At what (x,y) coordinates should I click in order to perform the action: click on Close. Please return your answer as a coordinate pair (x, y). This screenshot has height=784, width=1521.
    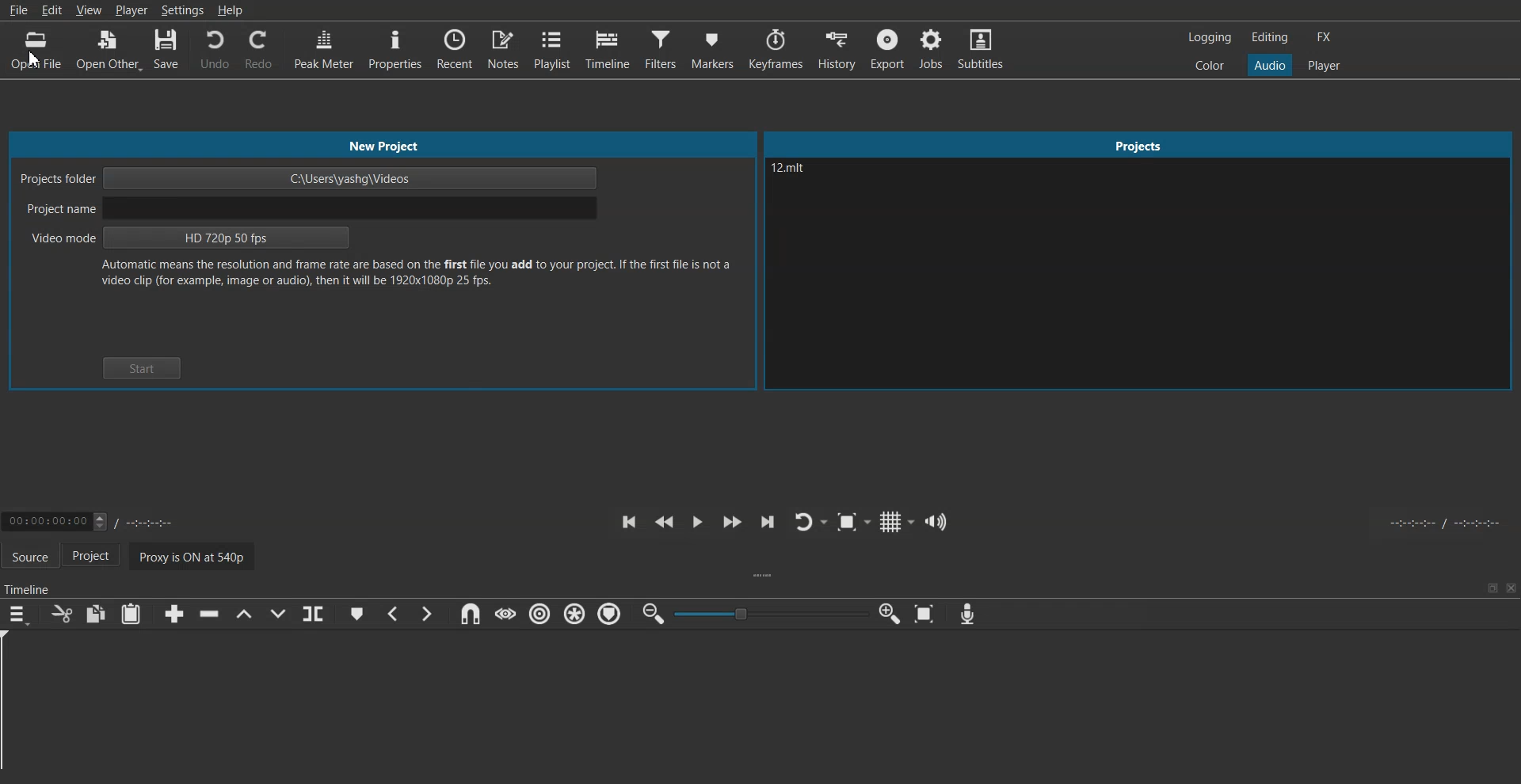
    Looking at the image, I should click on (1511, 588).